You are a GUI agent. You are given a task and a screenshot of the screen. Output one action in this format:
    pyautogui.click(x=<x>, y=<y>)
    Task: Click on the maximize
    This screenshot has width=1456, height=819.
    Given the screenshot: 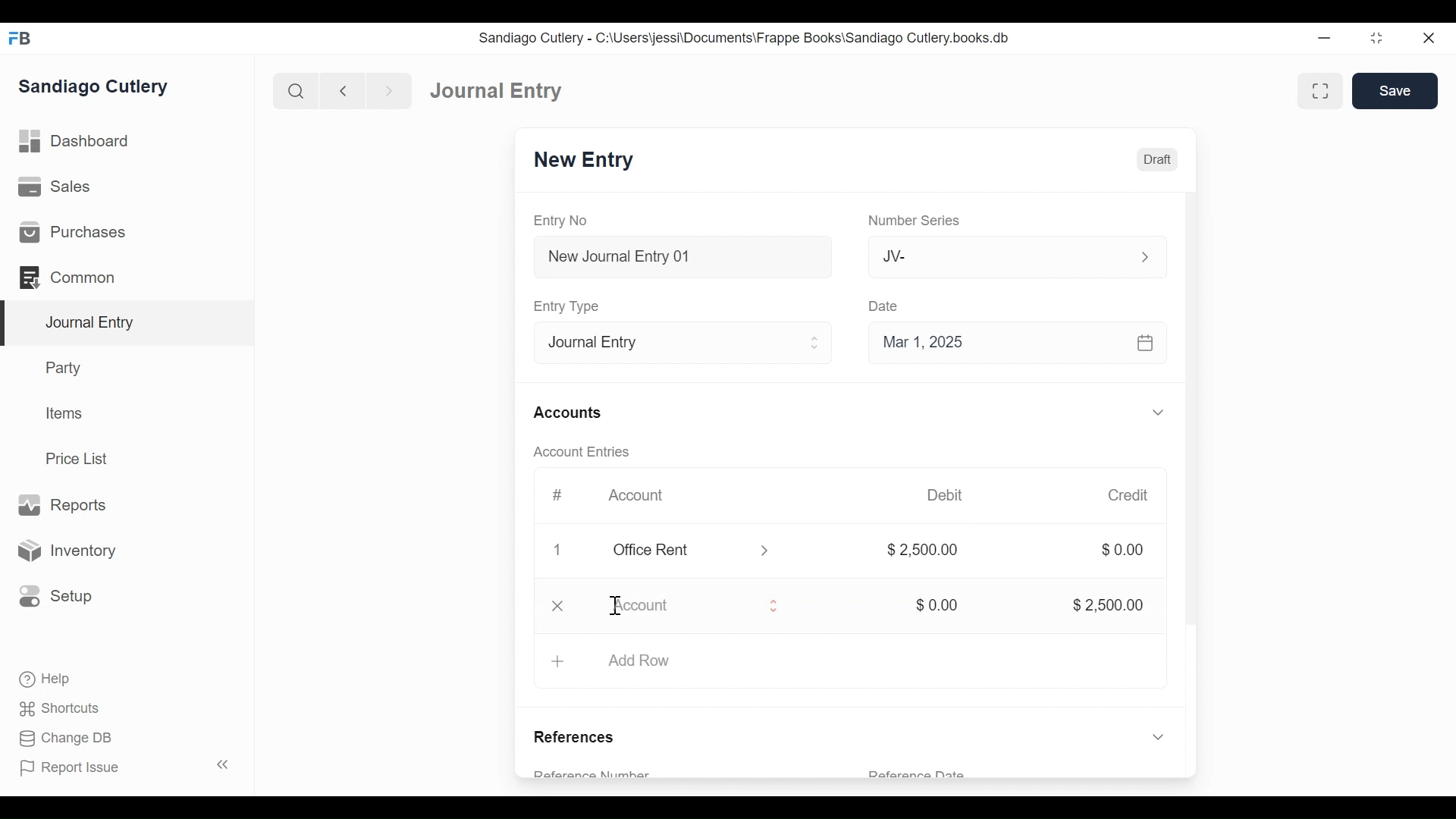 What is the action you would take?
    pyautogui.click(x=1378, y=37)
    